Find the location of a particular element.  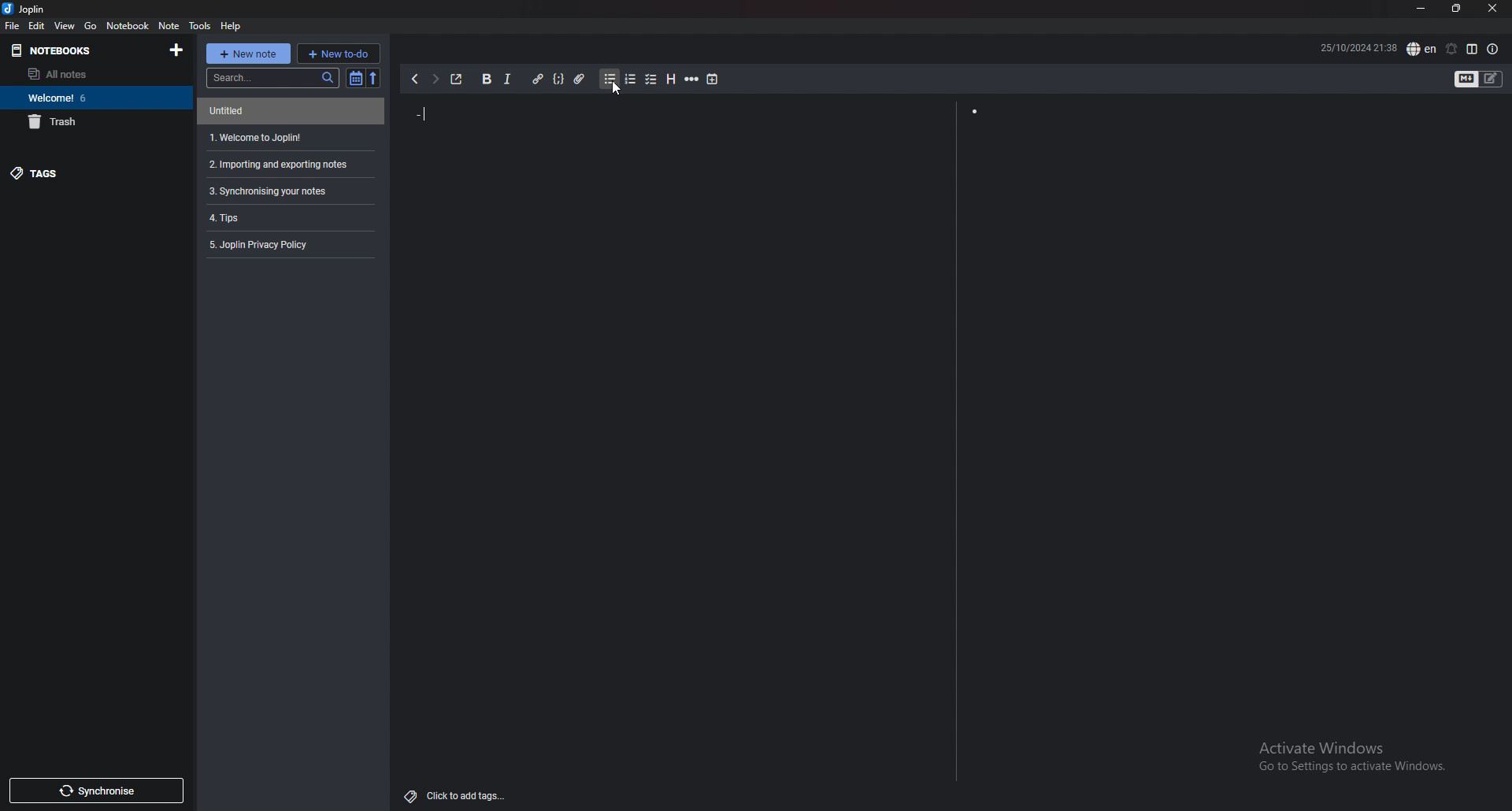

Toggle external editing is located at coordinates (459, 77).